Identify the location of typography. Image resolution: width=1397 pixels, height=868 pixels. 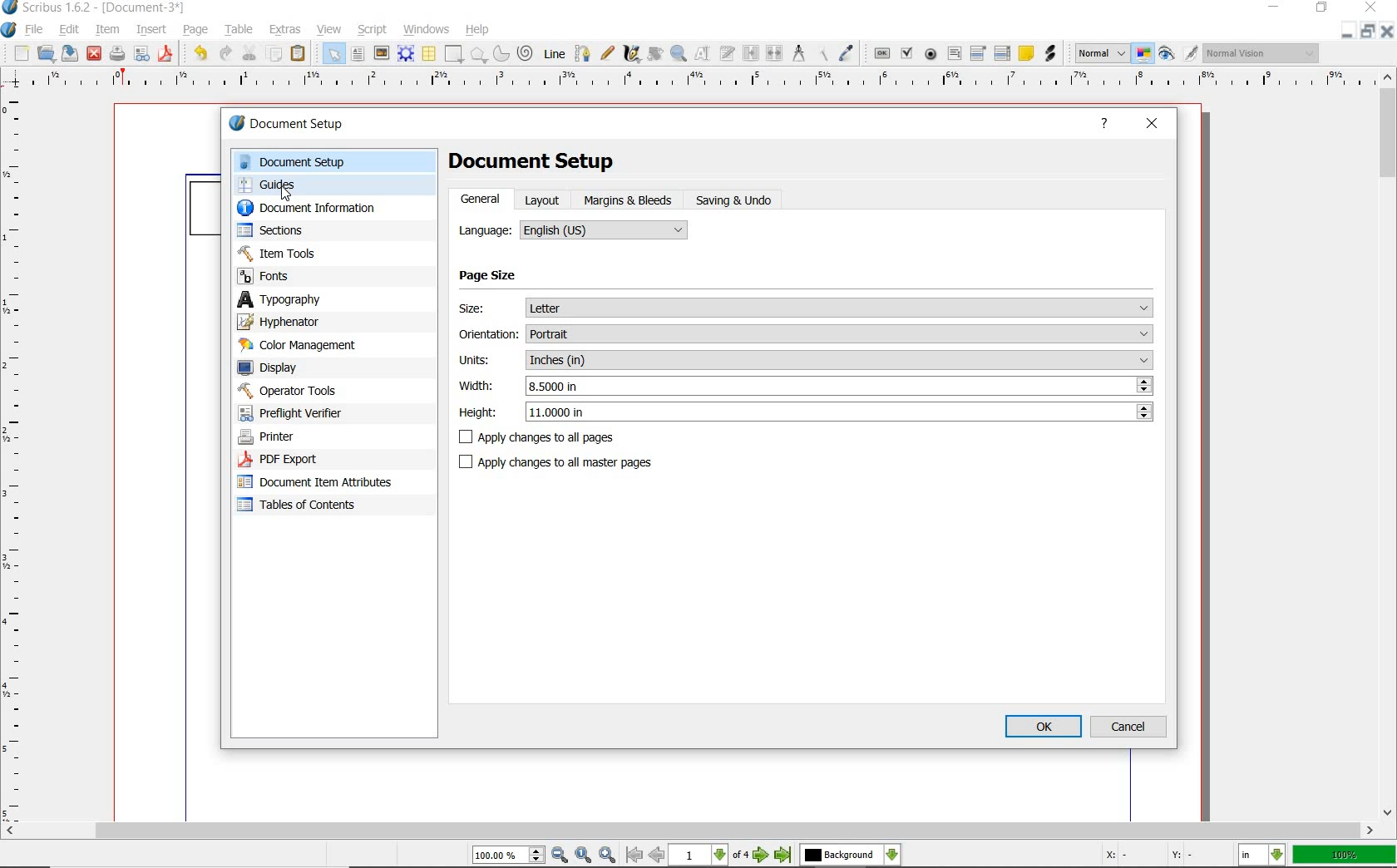
(334, 299).